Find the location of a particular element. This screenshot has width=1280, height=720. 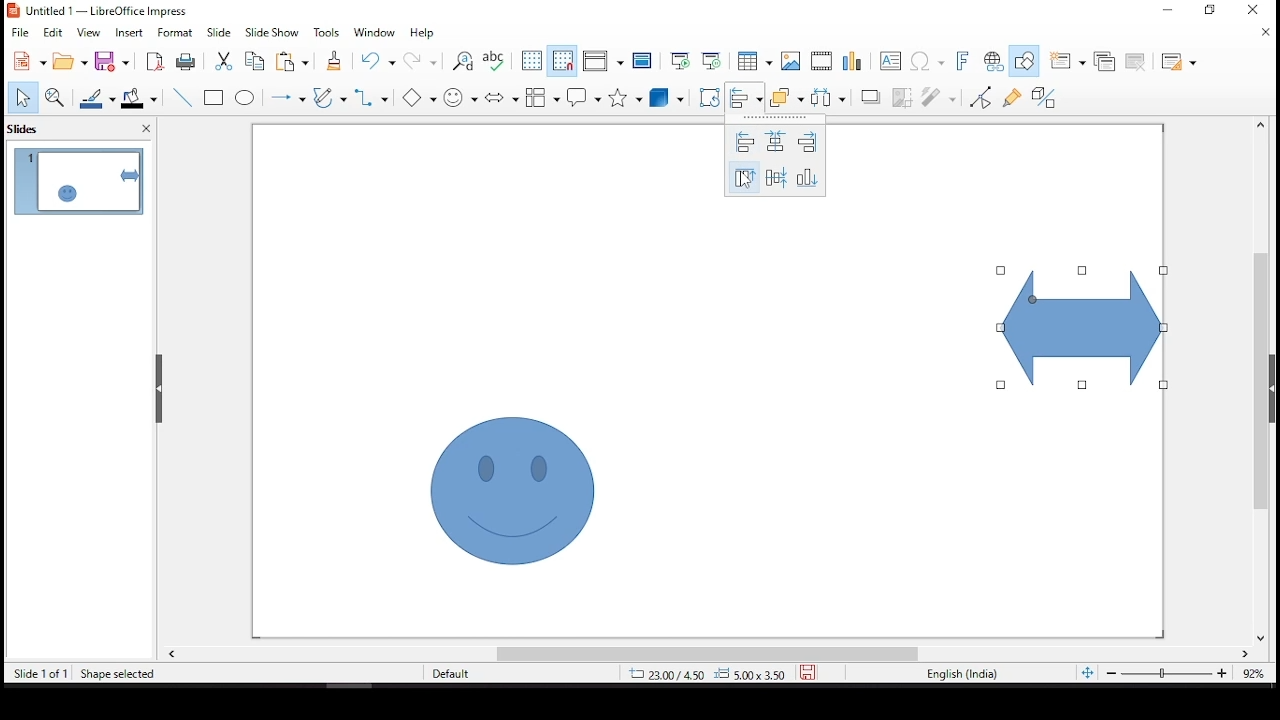

window is located at coordinates (378, 33).